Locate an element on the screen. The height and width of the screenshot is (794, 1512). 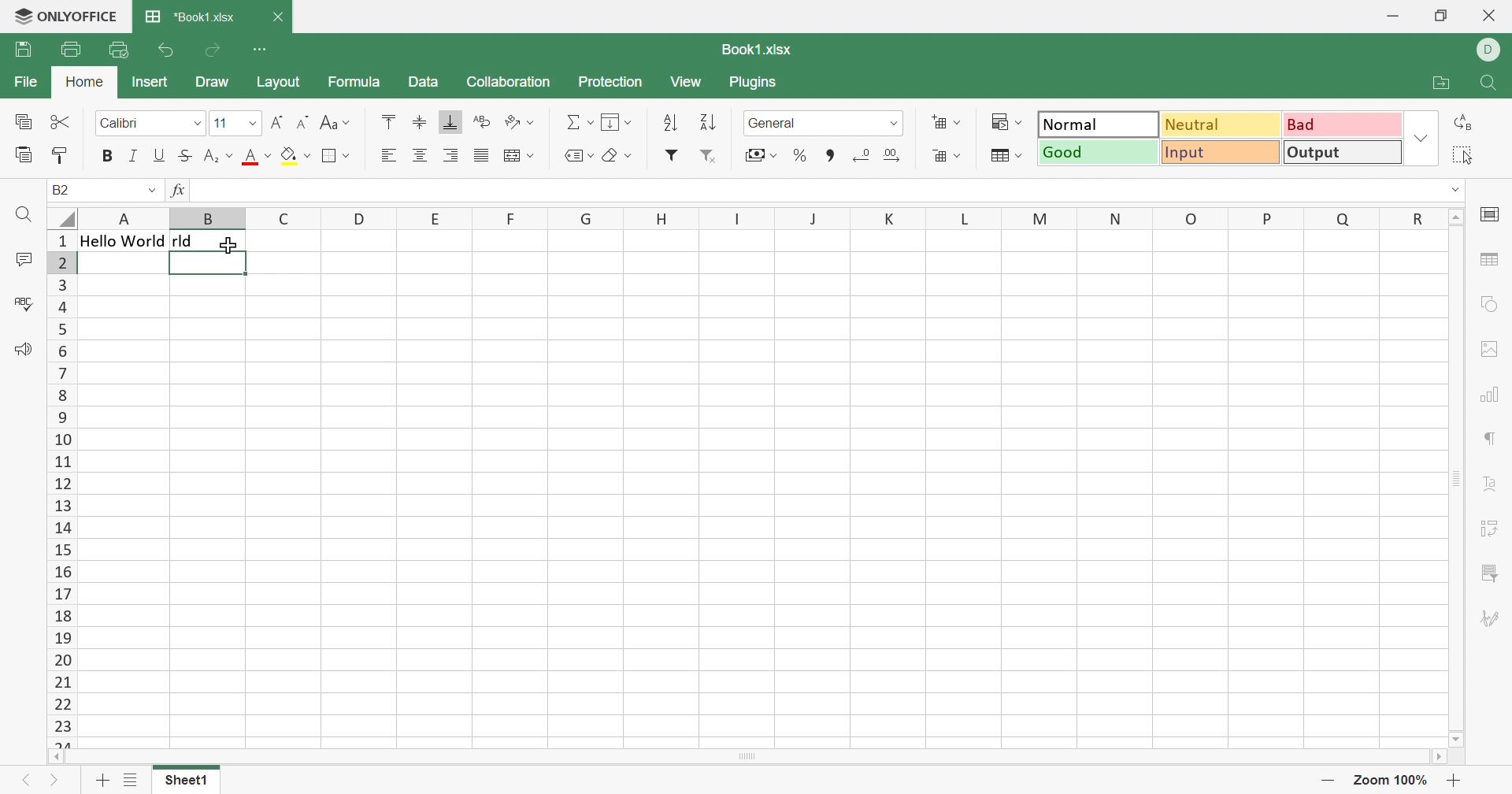
Draw is located at coordinates (207, 82).